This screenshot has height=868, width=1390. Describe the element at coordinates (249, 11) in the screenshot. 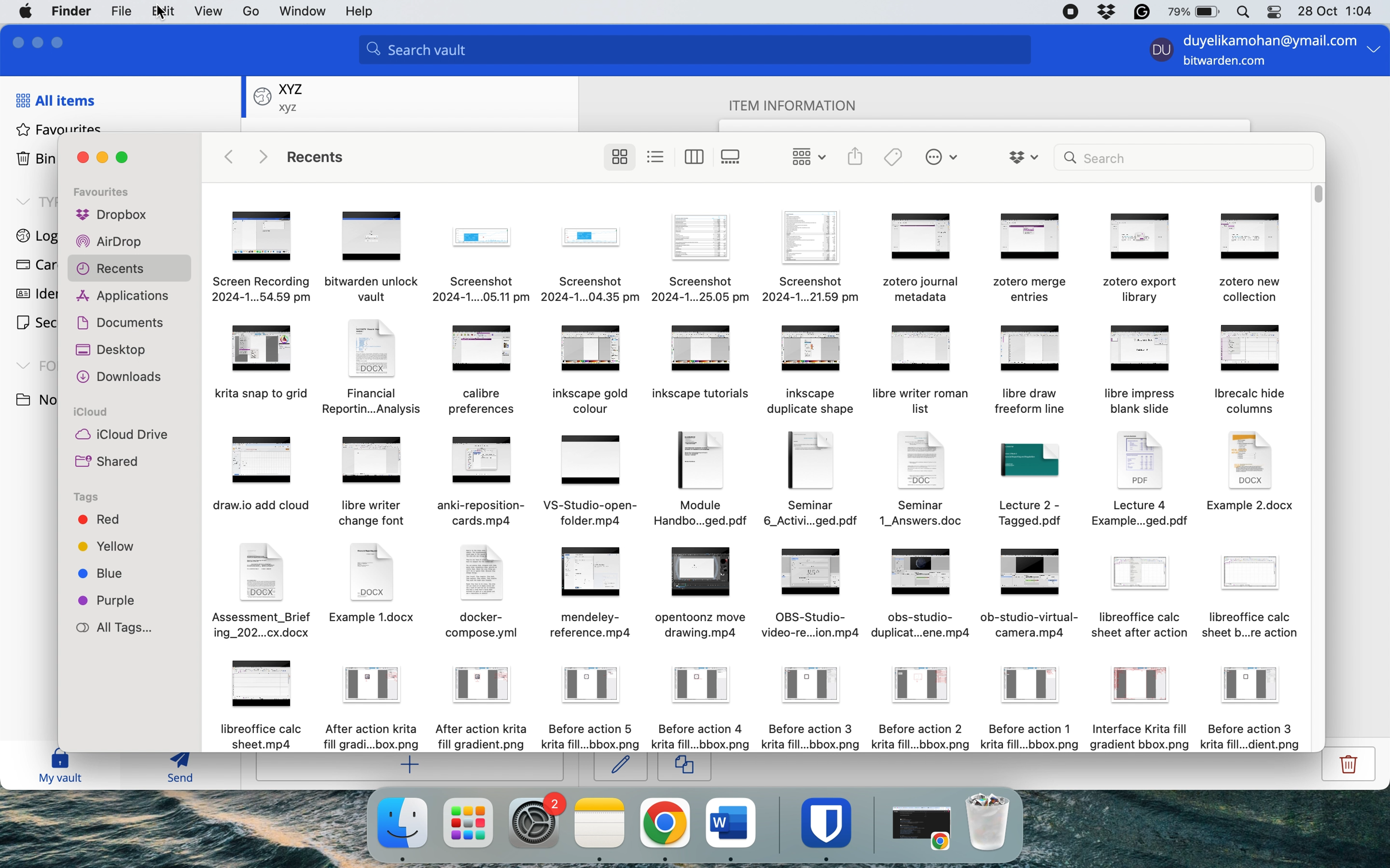

I see `account` at that location.